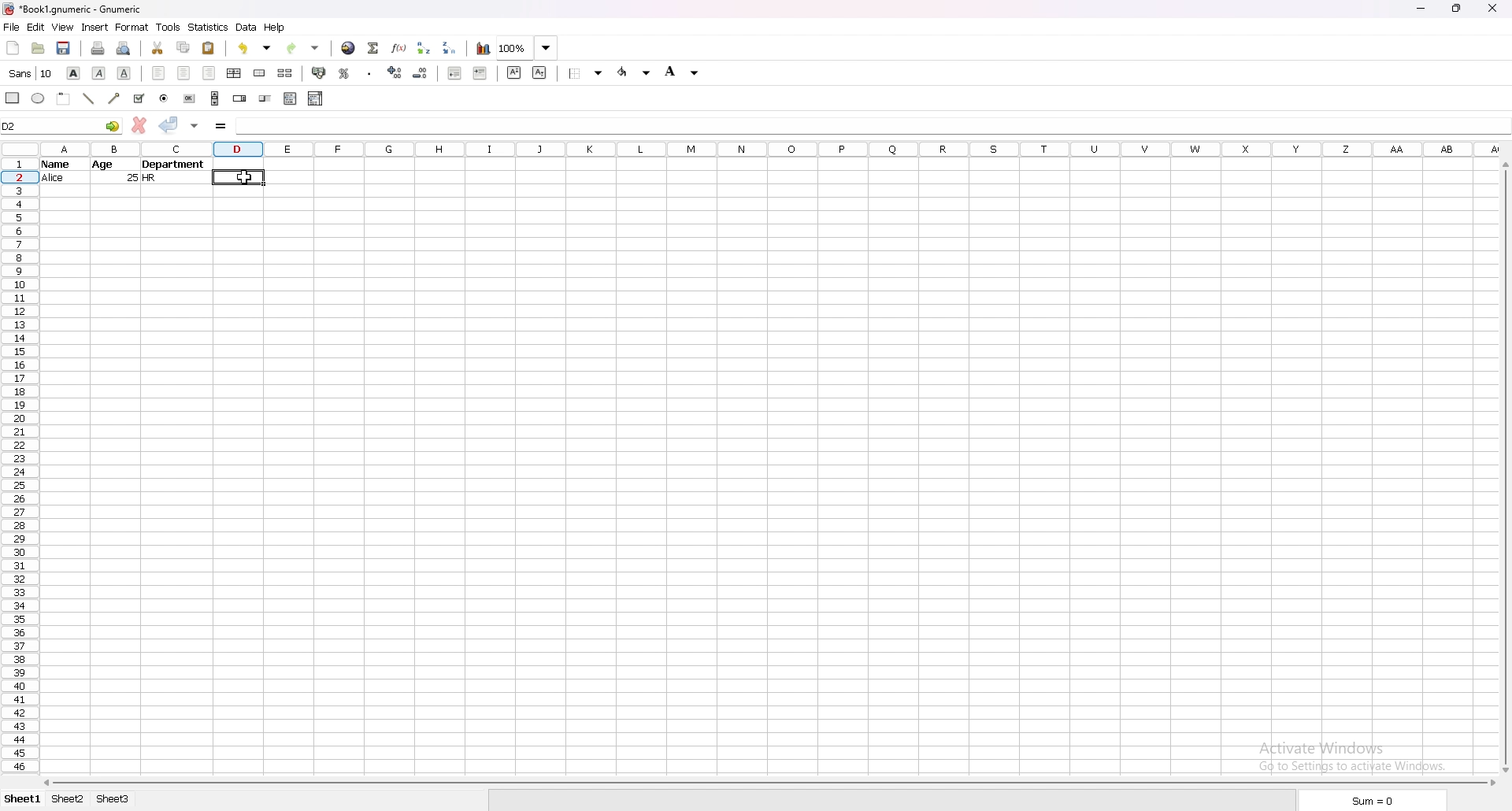 This screenshot has width=1512, height=811. Describe the element at coordinates (450, 47) in the screenshot. I see `sort descending` at that location.